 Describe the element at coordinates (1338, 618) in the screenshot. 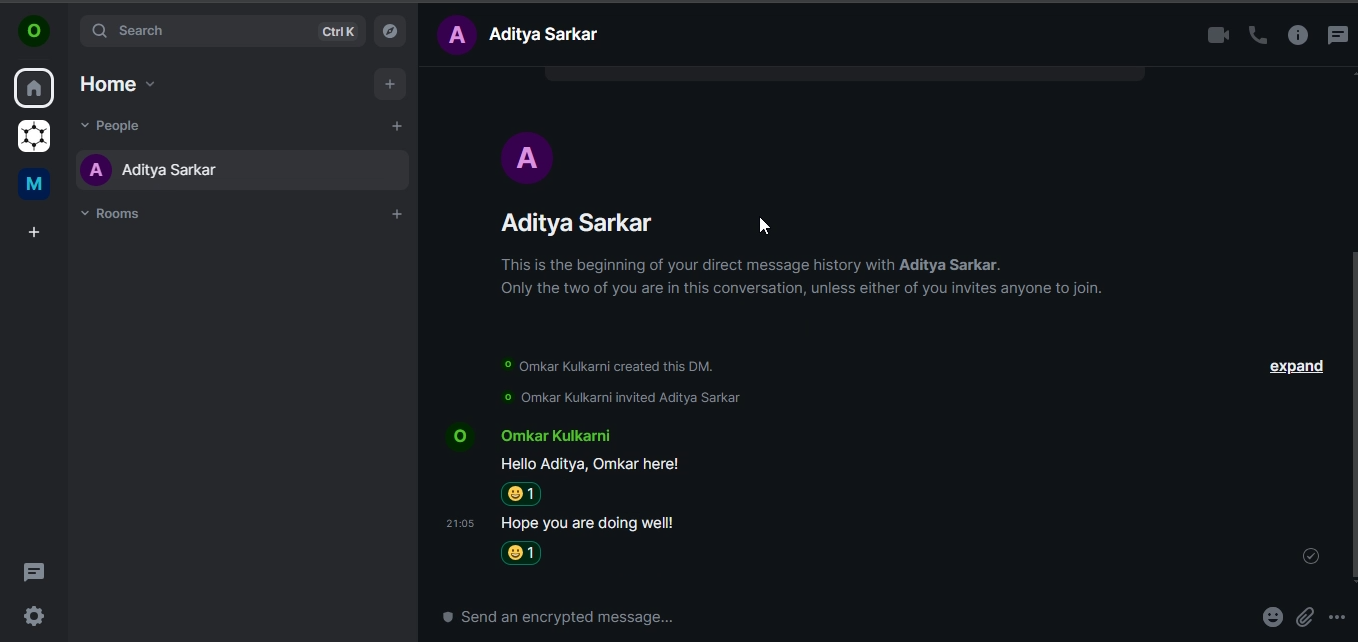

I see `more options` at that location.